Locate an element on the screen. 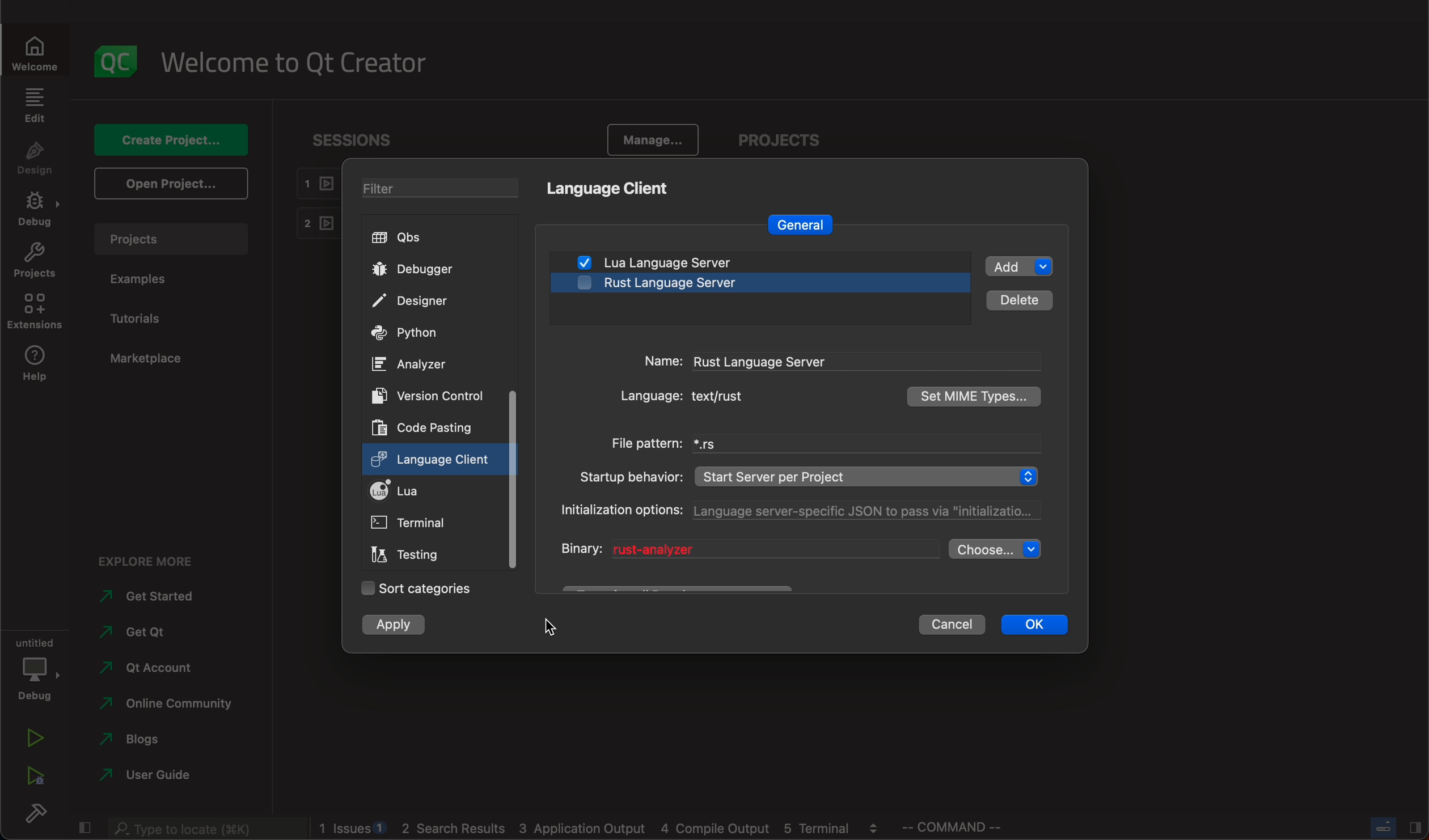  sessions is located at coordinates (353, 144).